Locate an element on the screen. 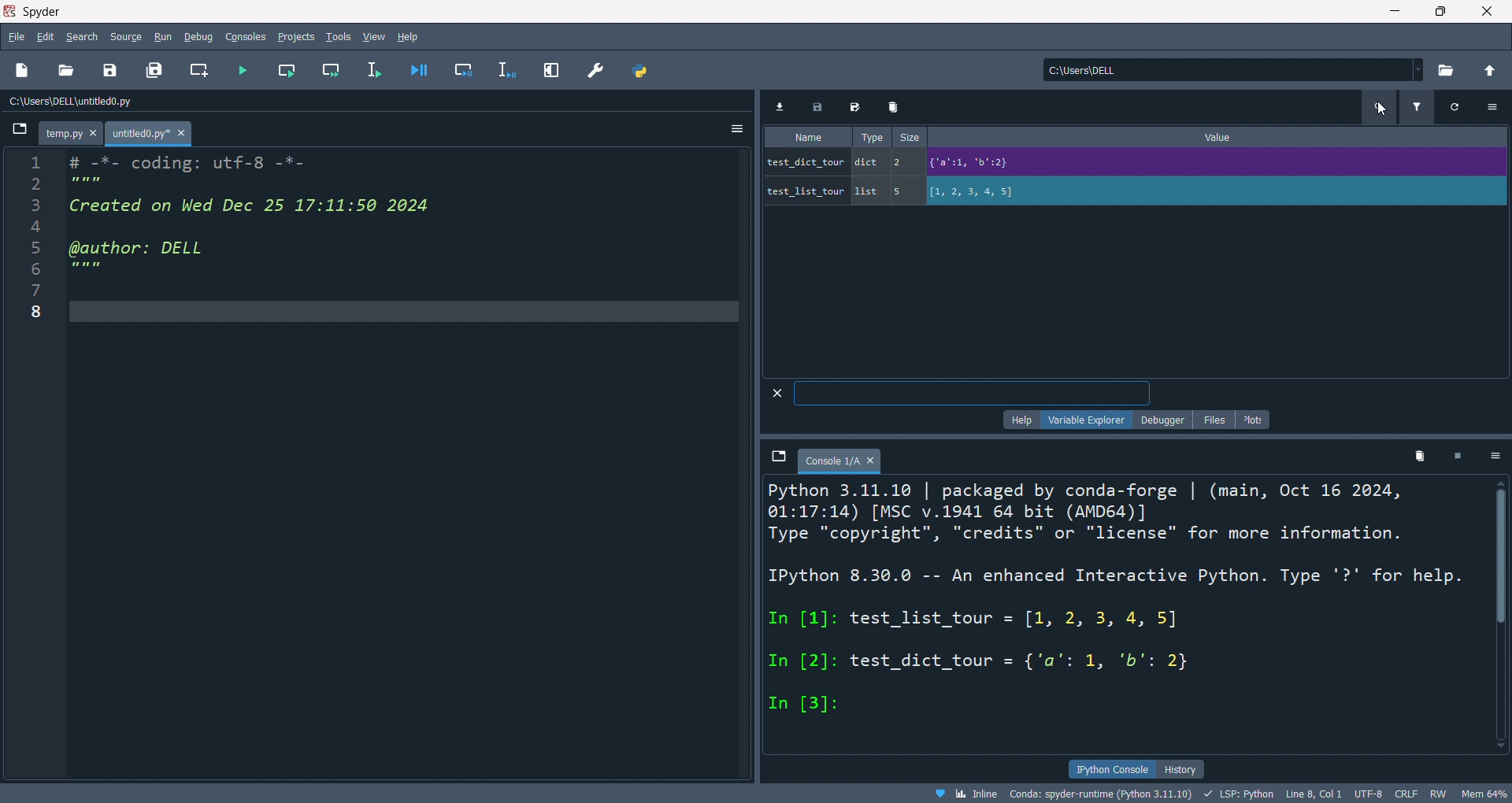  debug cell is located at coordinates (461, 69).